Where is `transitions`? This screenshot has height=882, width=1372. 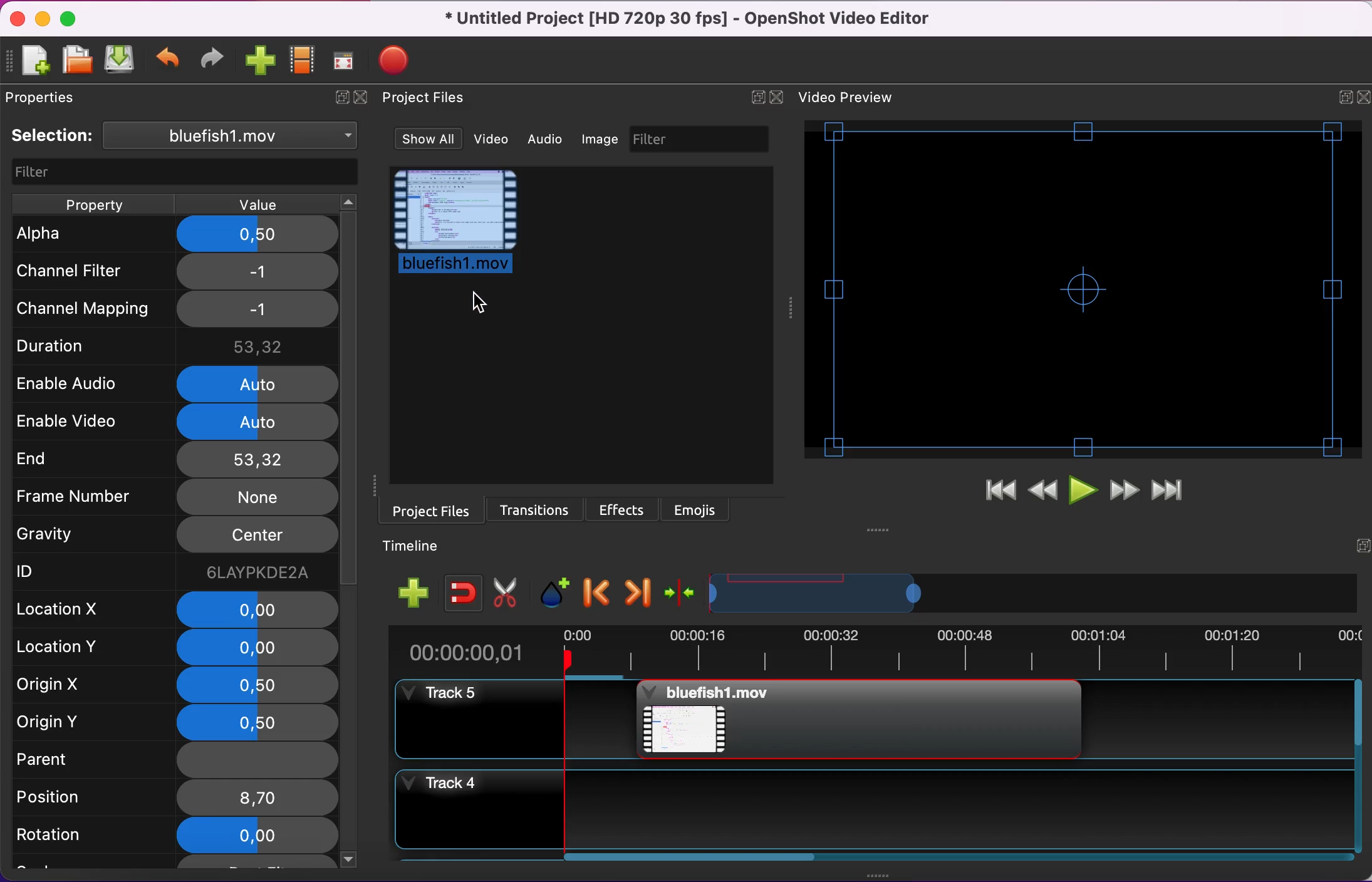 transitions is located at coordinates (534, 509).